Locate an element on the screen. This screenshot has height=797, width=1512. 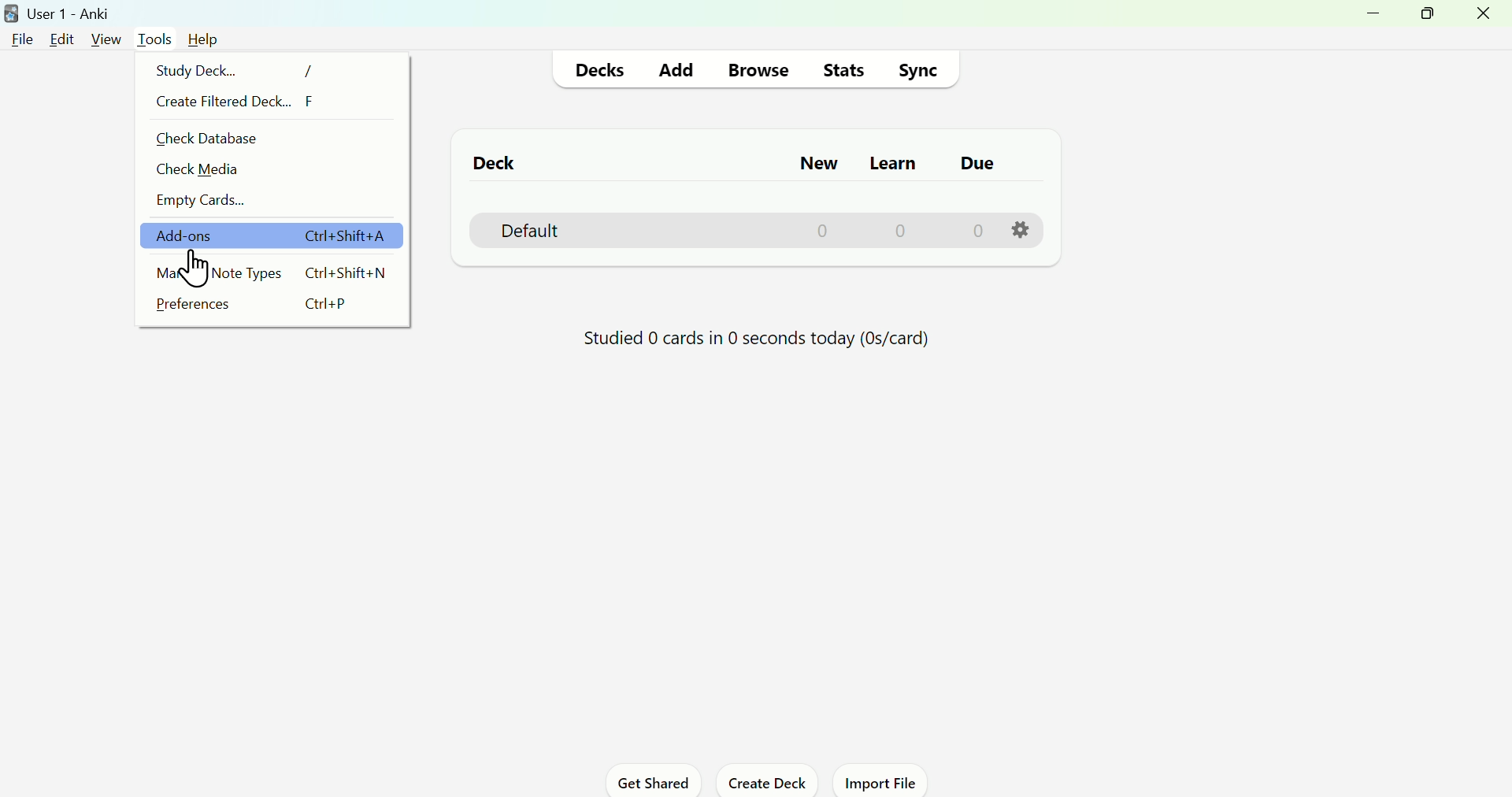
Get Shared is located at coordinates (648, 781).